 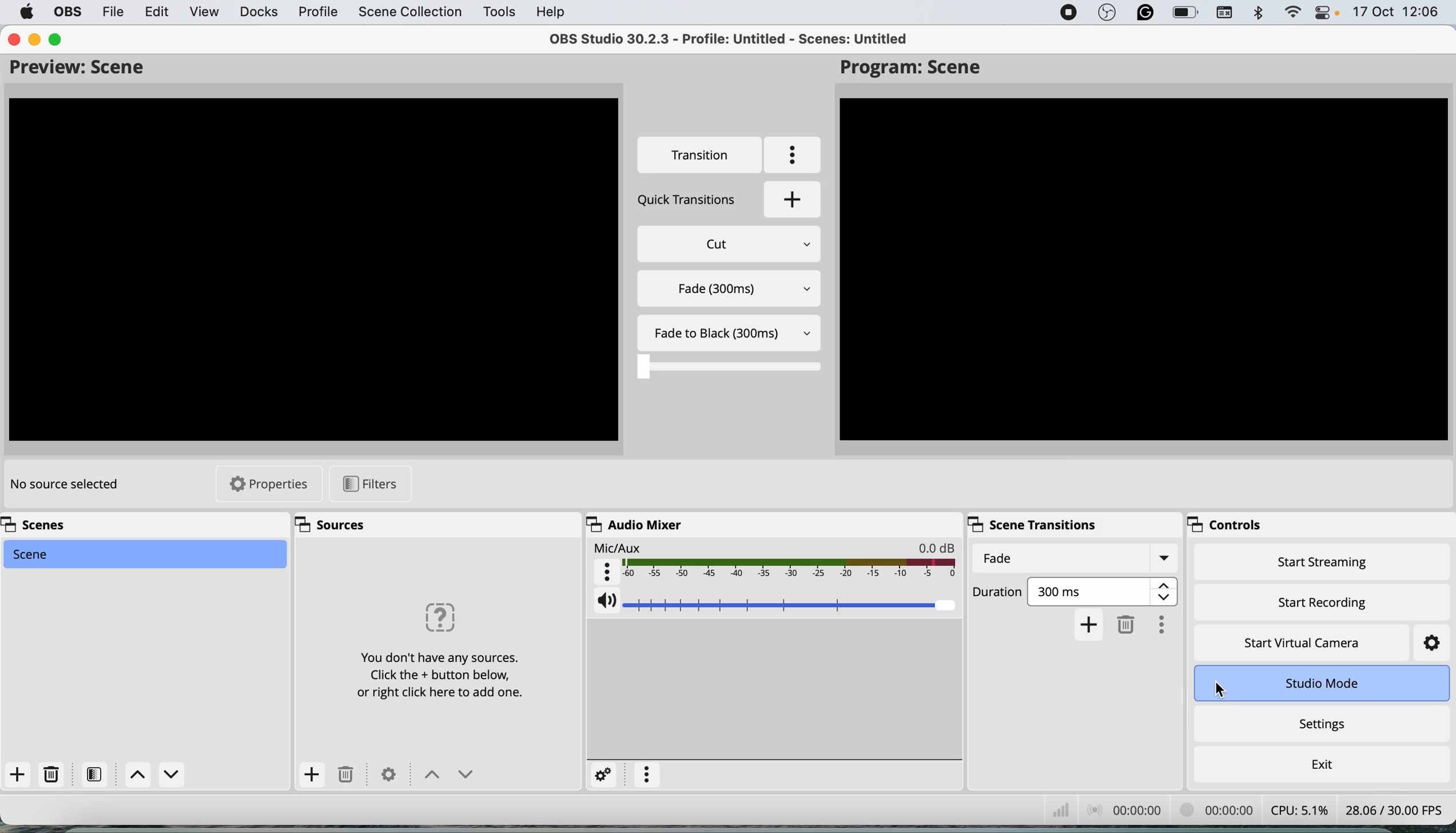 What do you see at coordinates (1031, 525) in the screenshot?
I see `scene transitions` at bounding box center [1031, 525].